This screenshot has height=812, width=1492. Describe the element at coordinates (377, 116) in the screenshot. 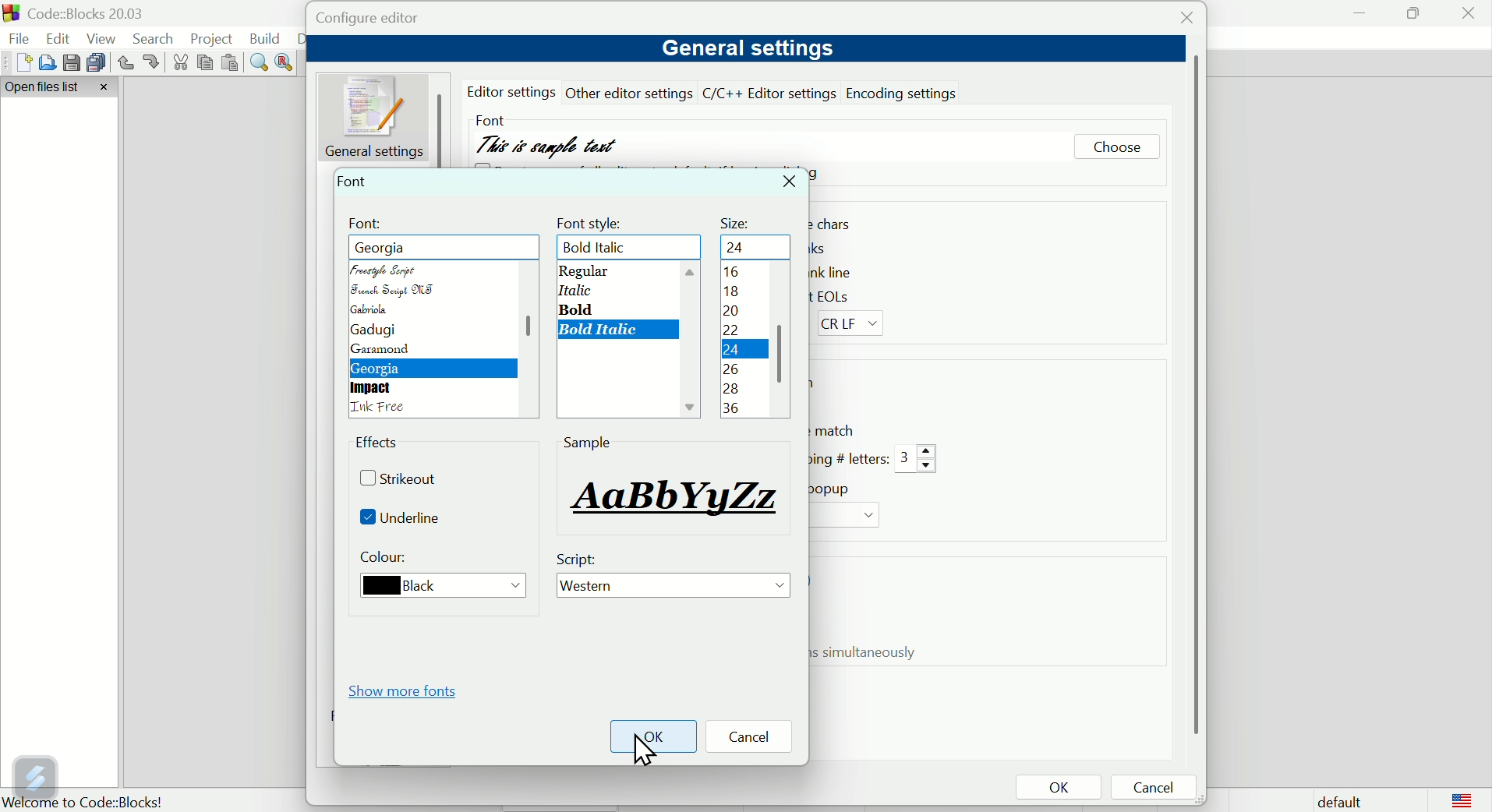

I see `General setting` at that location.